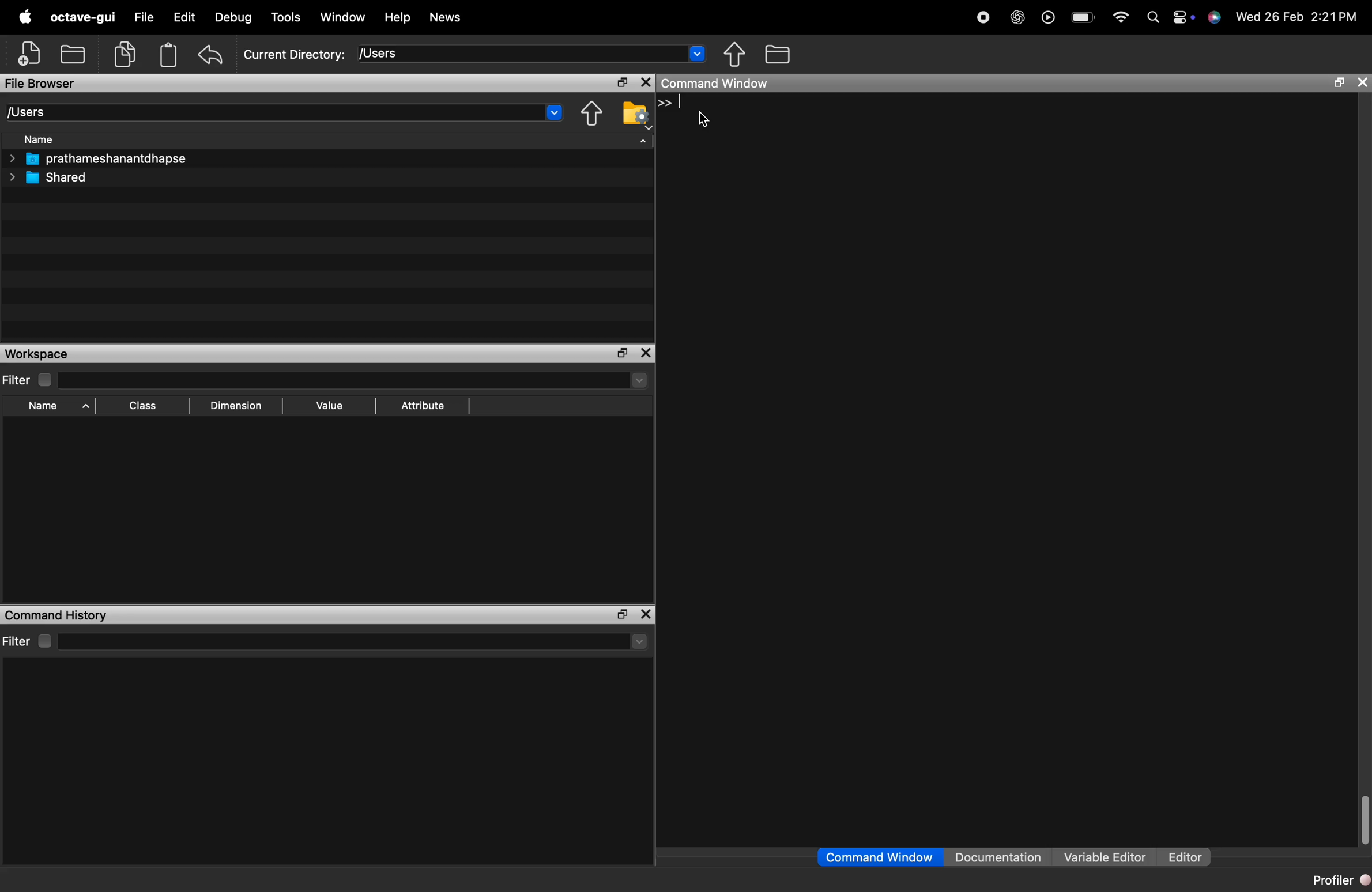 The width and height of the screenshot is (1372, 892). I want to click on copy, so click(126, 58).